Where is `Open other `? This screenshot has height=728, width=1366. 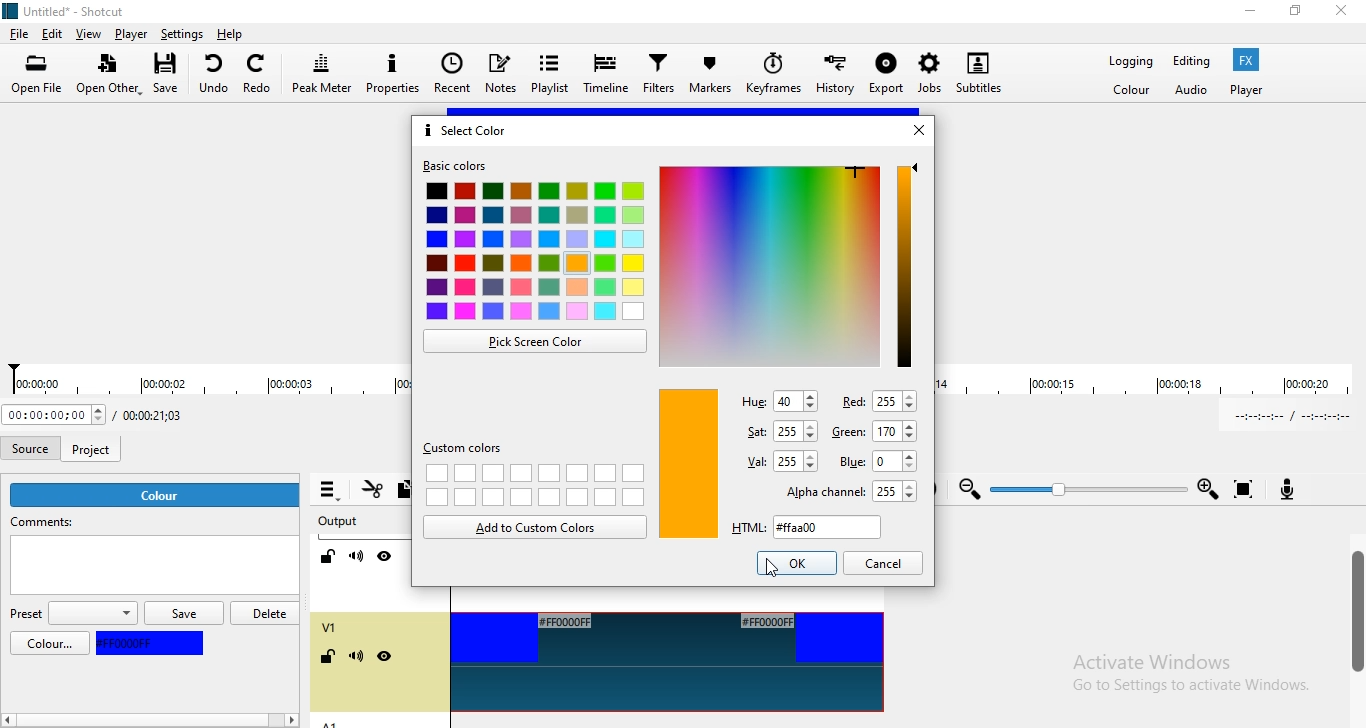 Open other  is located at coordinates (106, 75).